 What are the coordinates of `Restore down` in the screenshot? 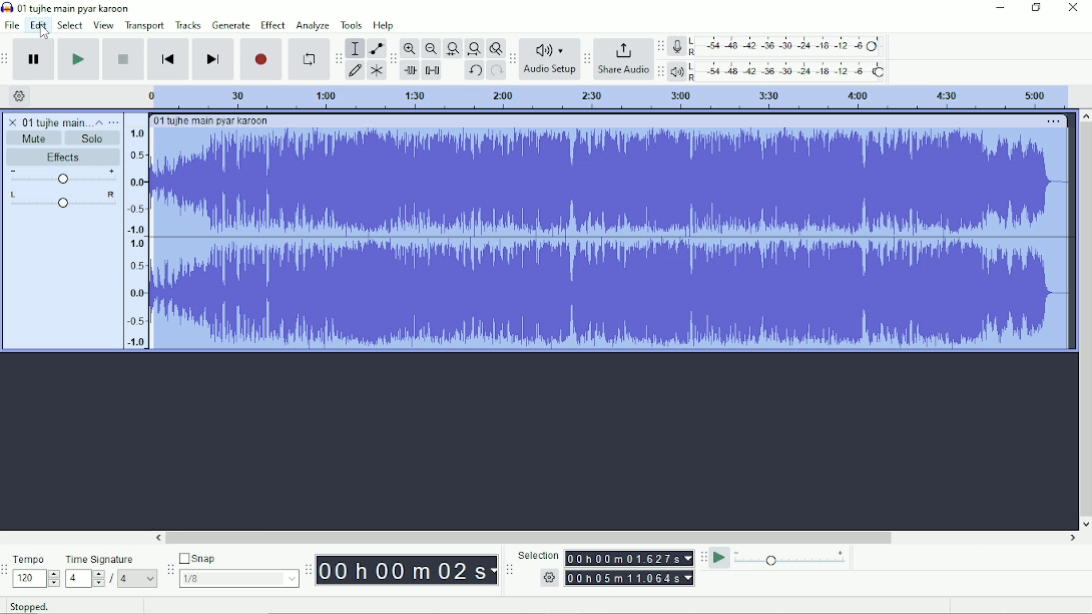 It's located at (1036, 8).